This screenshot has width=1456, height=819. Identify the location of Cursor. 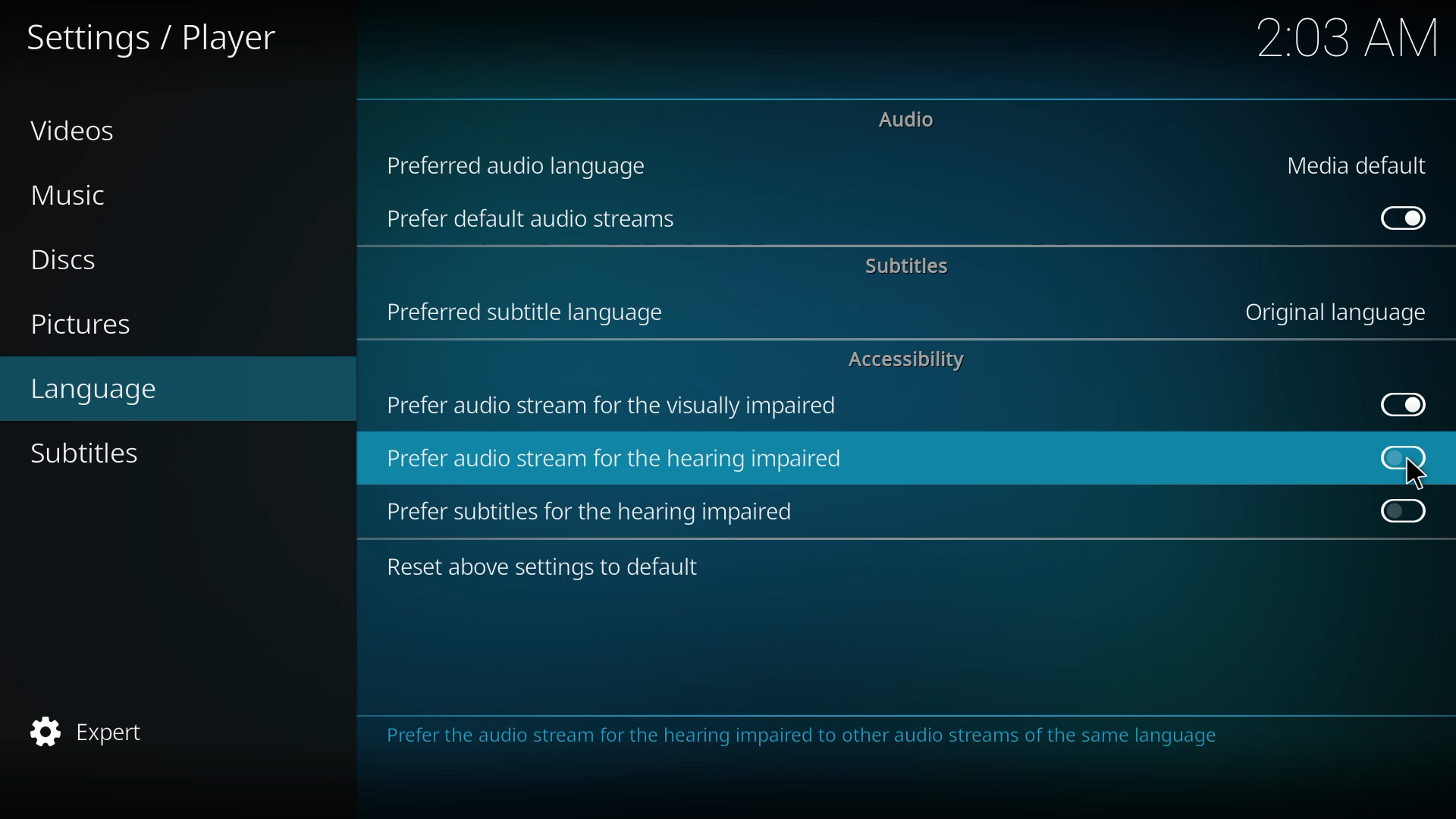
(1416, 473).